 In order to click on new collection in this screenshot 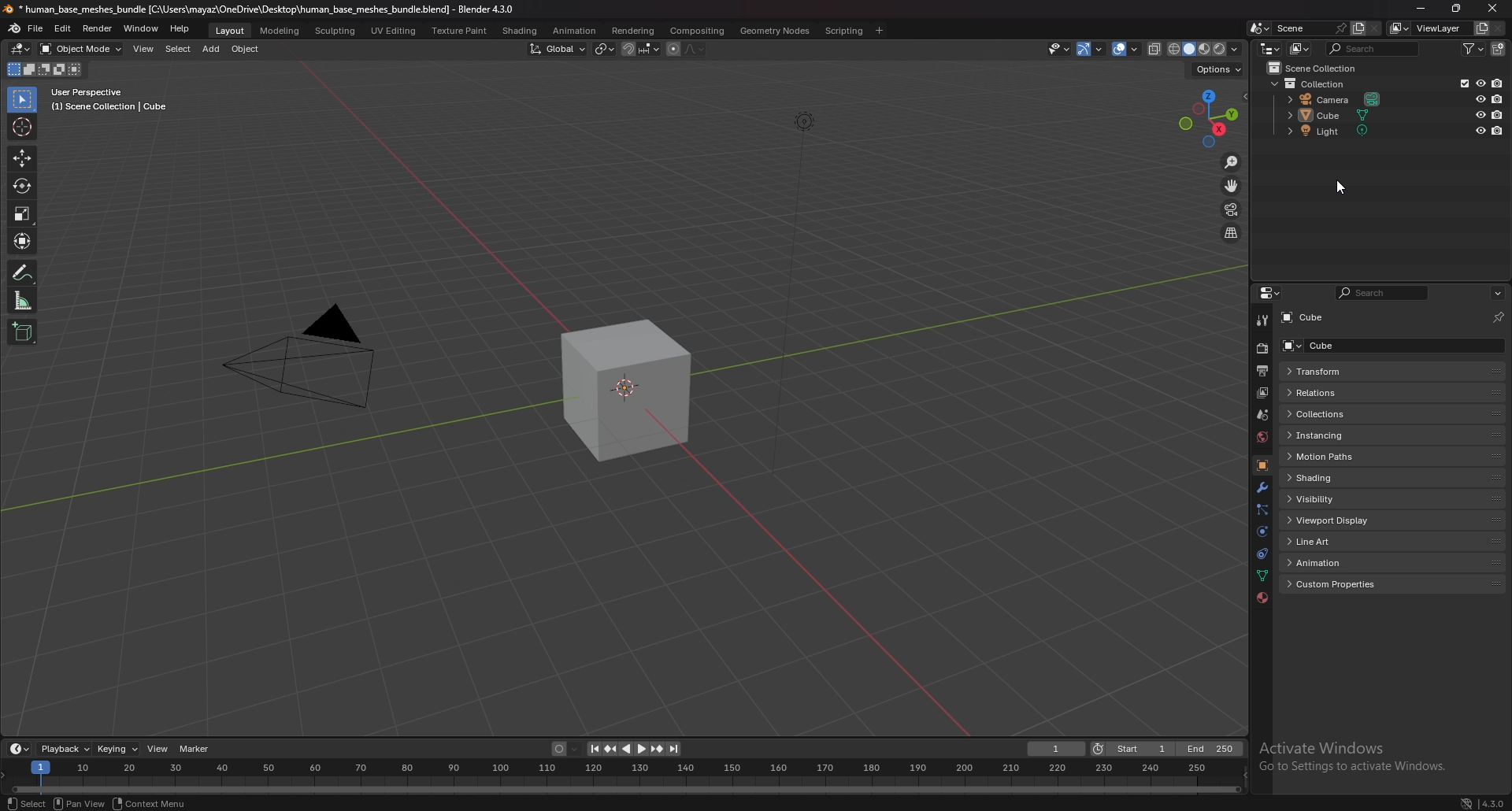, I will do `click(1500, 48)`.